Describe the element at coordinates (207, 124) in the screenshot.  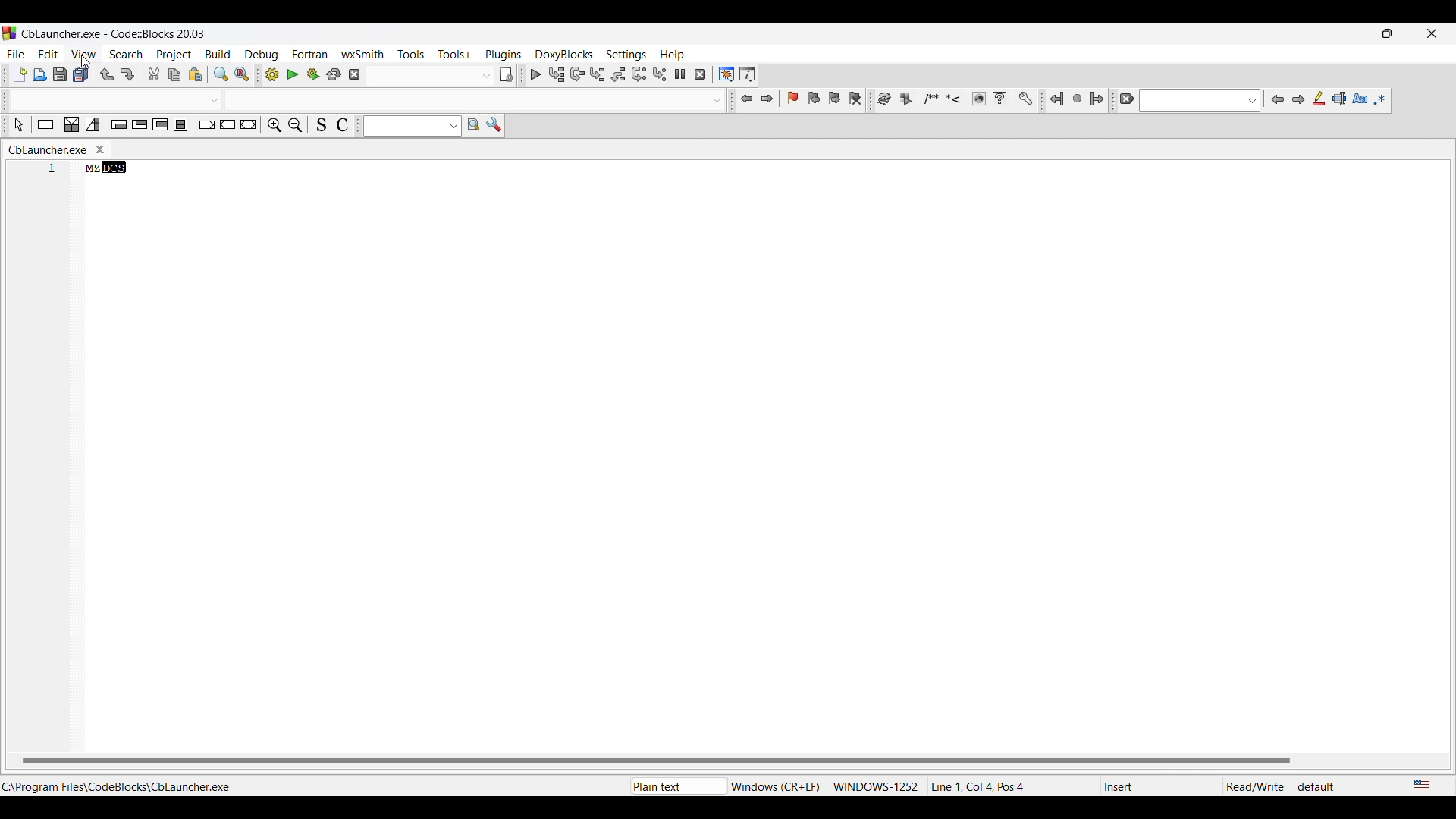
I see `Break instruction` at that location.